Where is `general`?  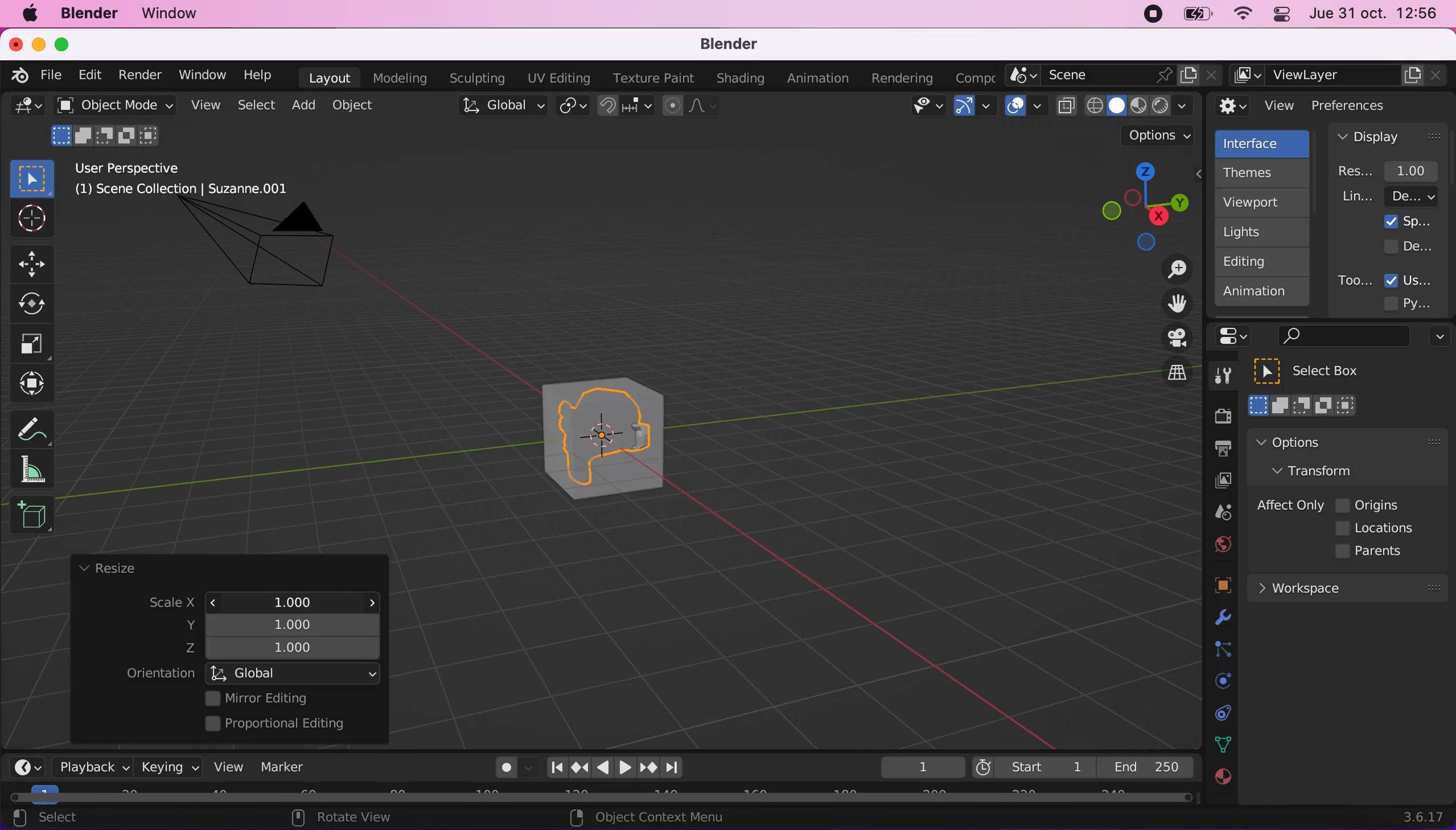 general is located at coordinates (27, 109).